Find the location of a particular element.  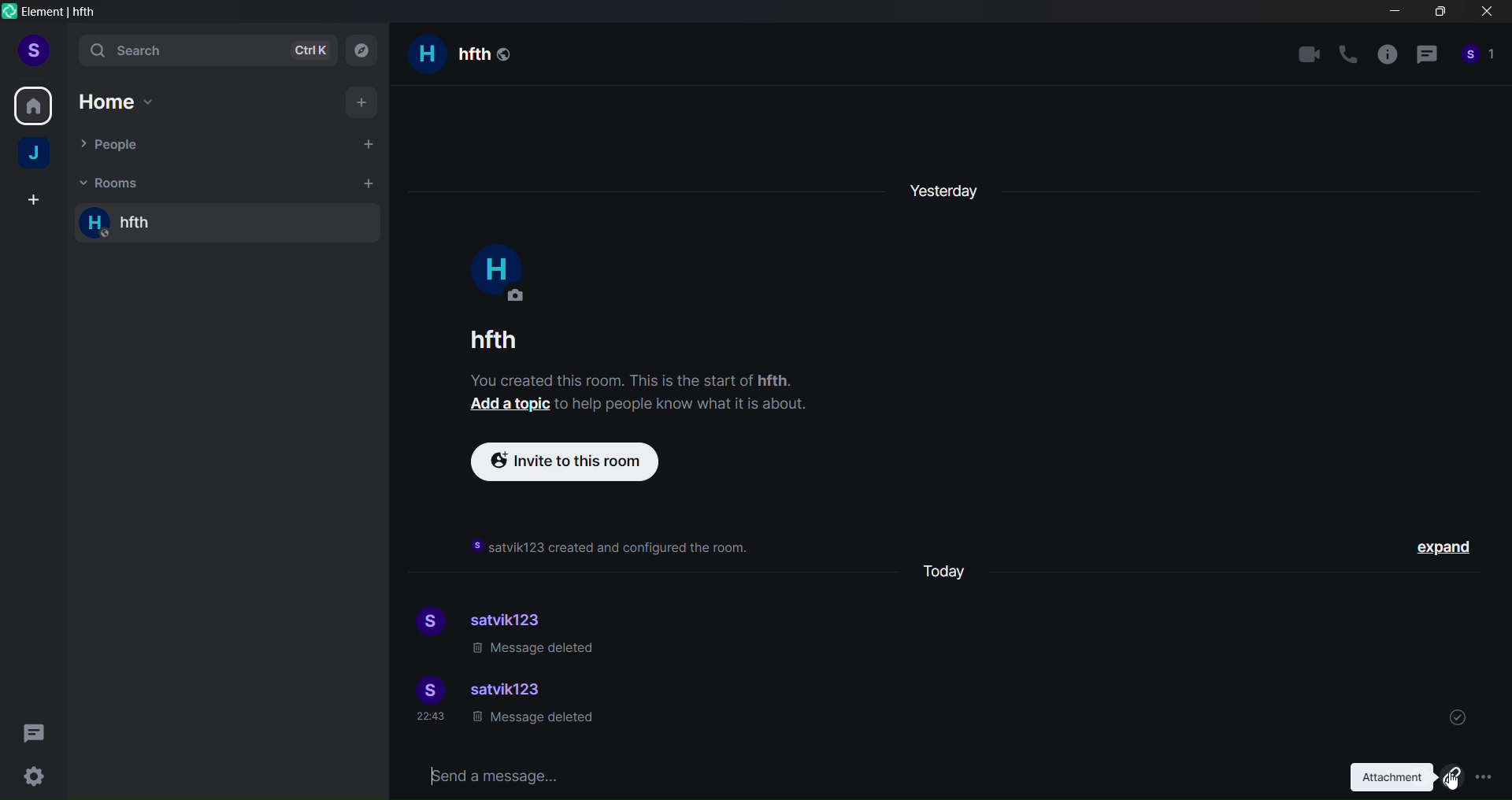

people is located at coordinates (1479, 59).